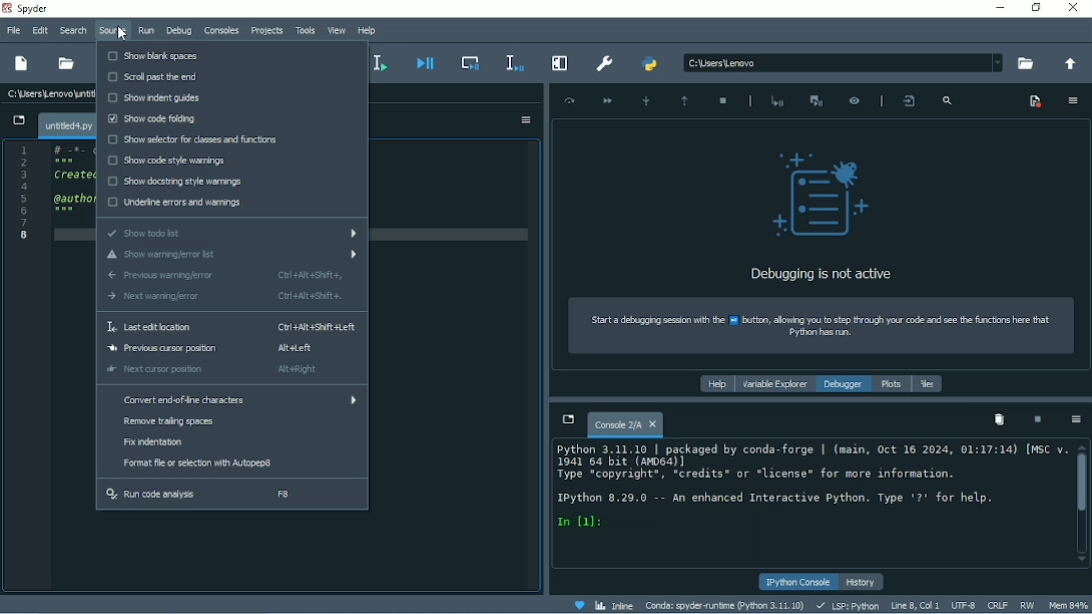 The width and height of the screenshot is (1092, 614). Describe the element at coordinates (603, 63) in the screenshot. I see `Preferences` at that location.